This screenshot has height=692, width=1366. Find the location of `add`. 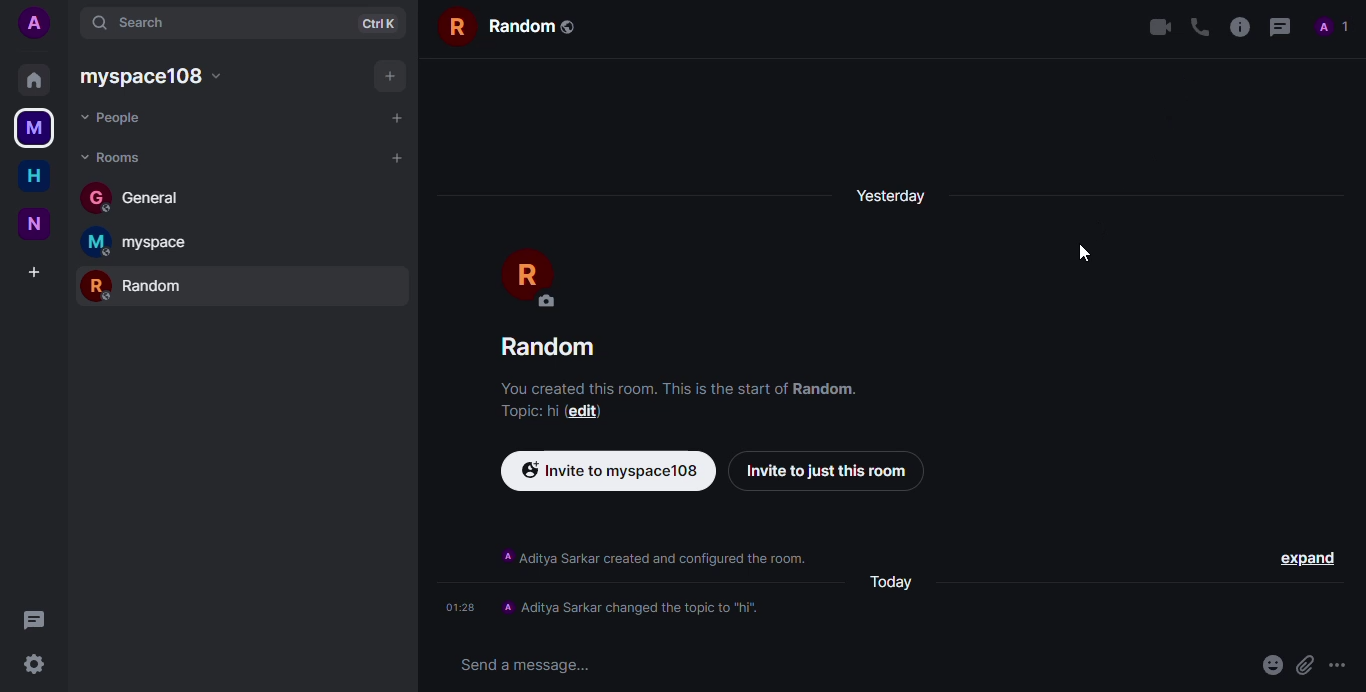

add is located at coordinates (388, 74).